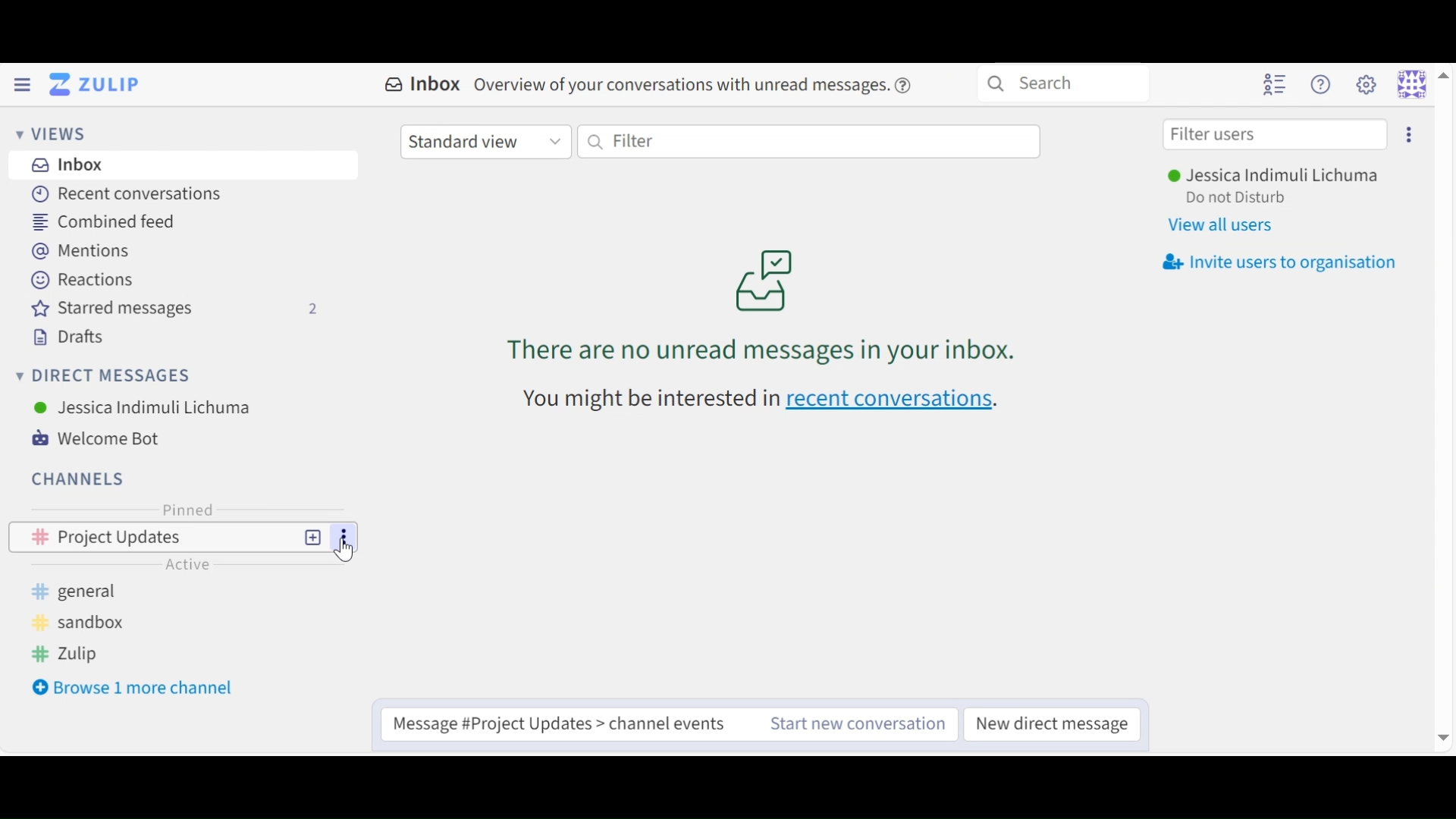 This screenshot has height=819, width=1456. What do you see at coordinates (418, 84) in the screenshot?
I see `Inbox` at bounding box center [418, 84].